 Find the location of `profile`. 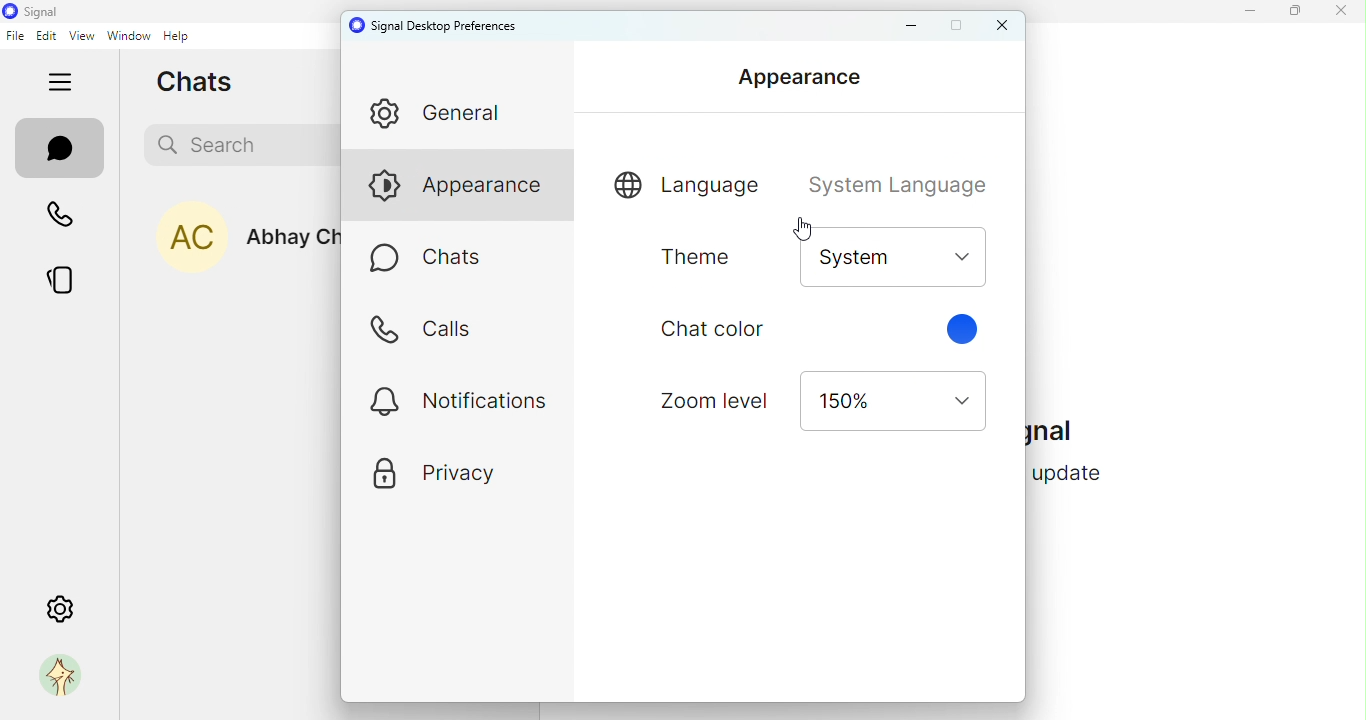

profile is located at coordinates (57, 676).